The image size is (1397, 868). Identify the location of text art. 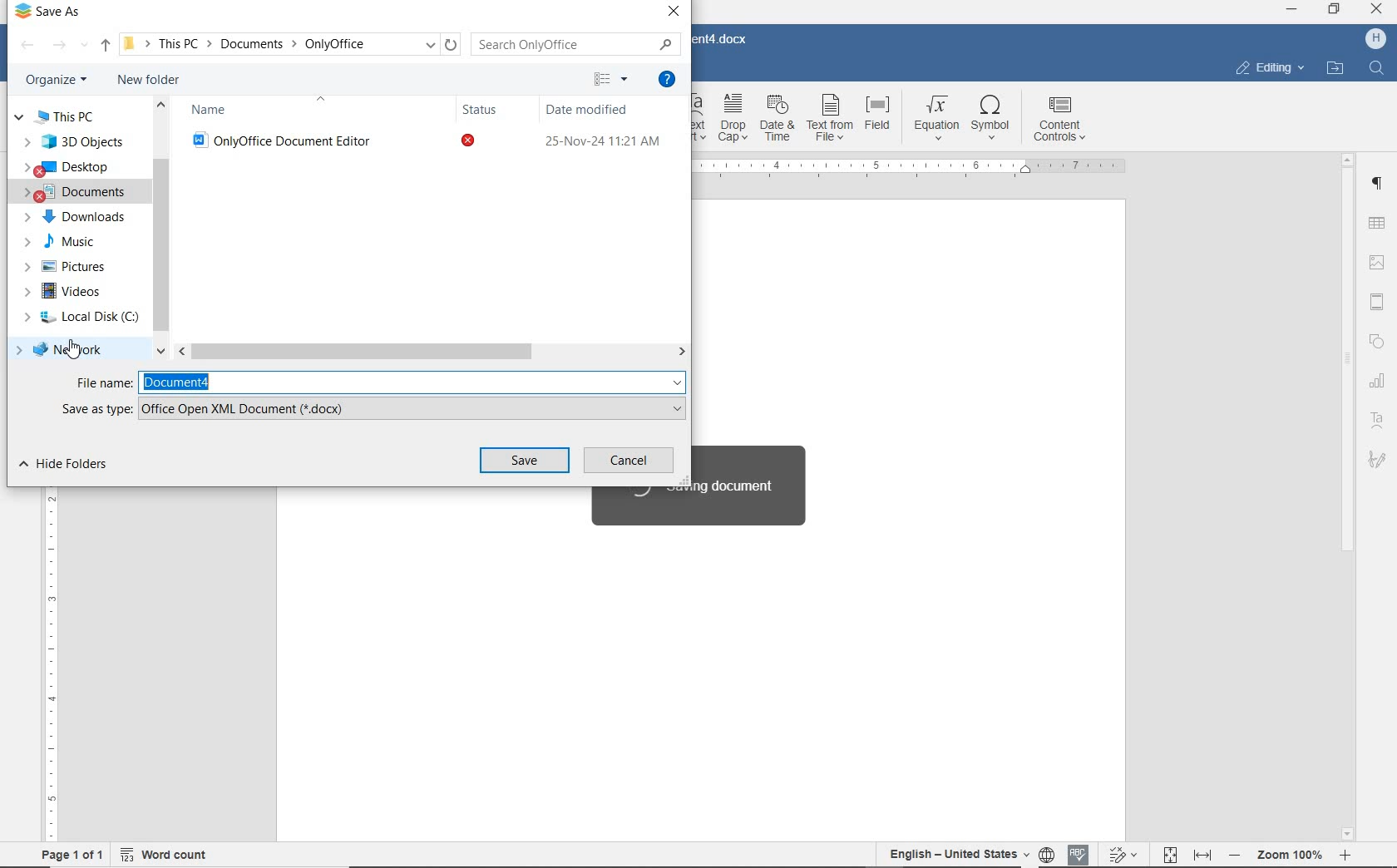
(1378, 420).